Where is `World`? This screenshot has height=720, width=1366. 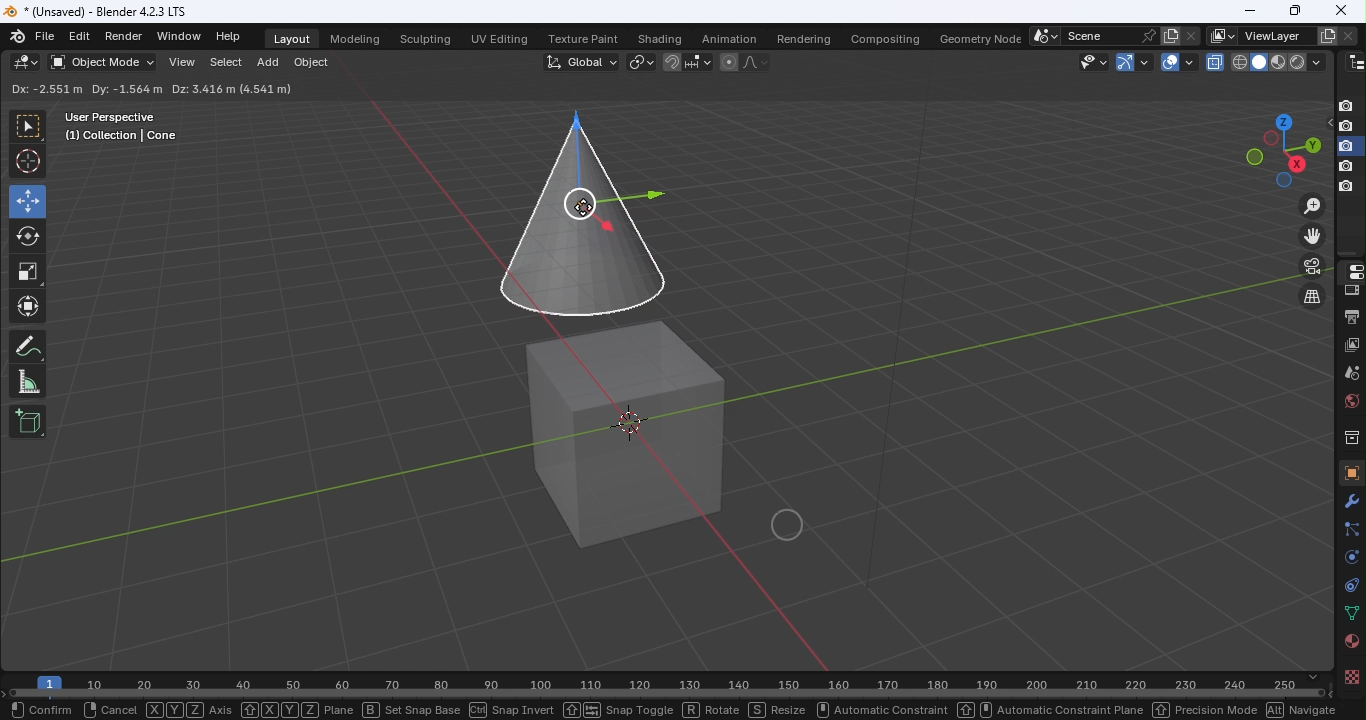 World is located at coordinates (1349, 401).